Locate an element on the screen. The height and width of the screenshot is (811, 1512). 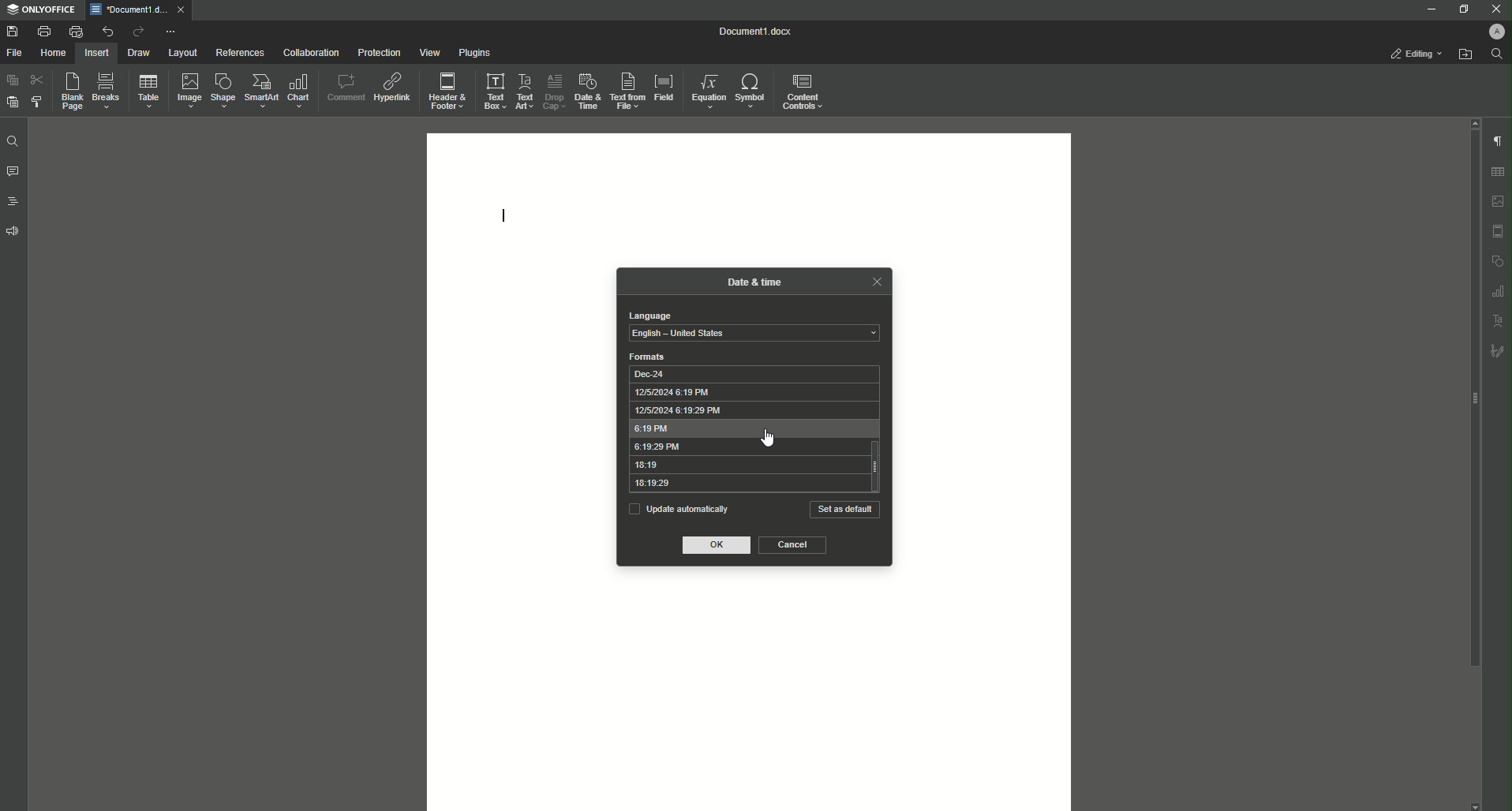
Feedback is located at coordinates (14, 231).